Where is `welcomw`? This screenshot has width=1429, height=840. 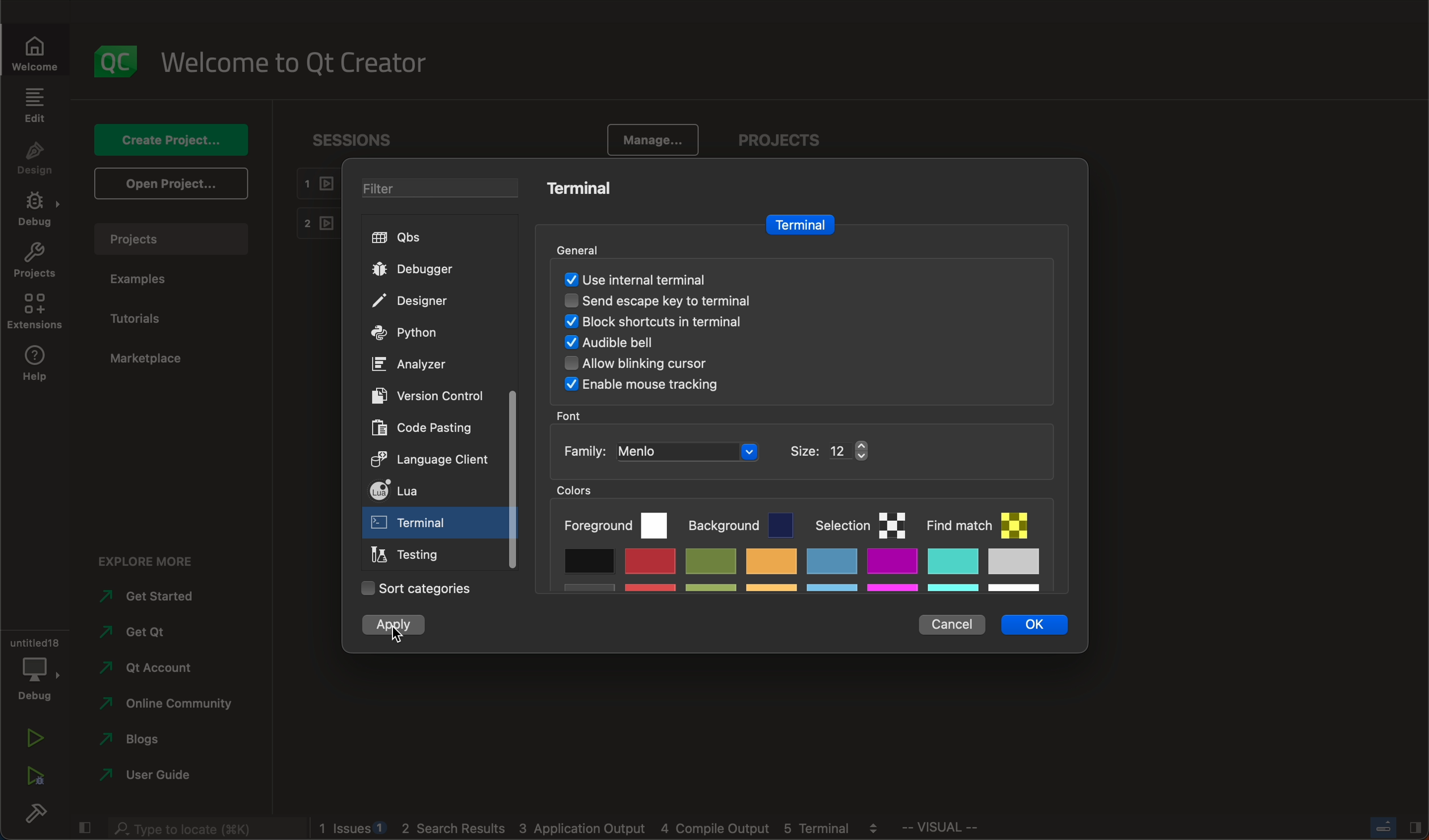 welcomw is located at coordinates (39, 46).